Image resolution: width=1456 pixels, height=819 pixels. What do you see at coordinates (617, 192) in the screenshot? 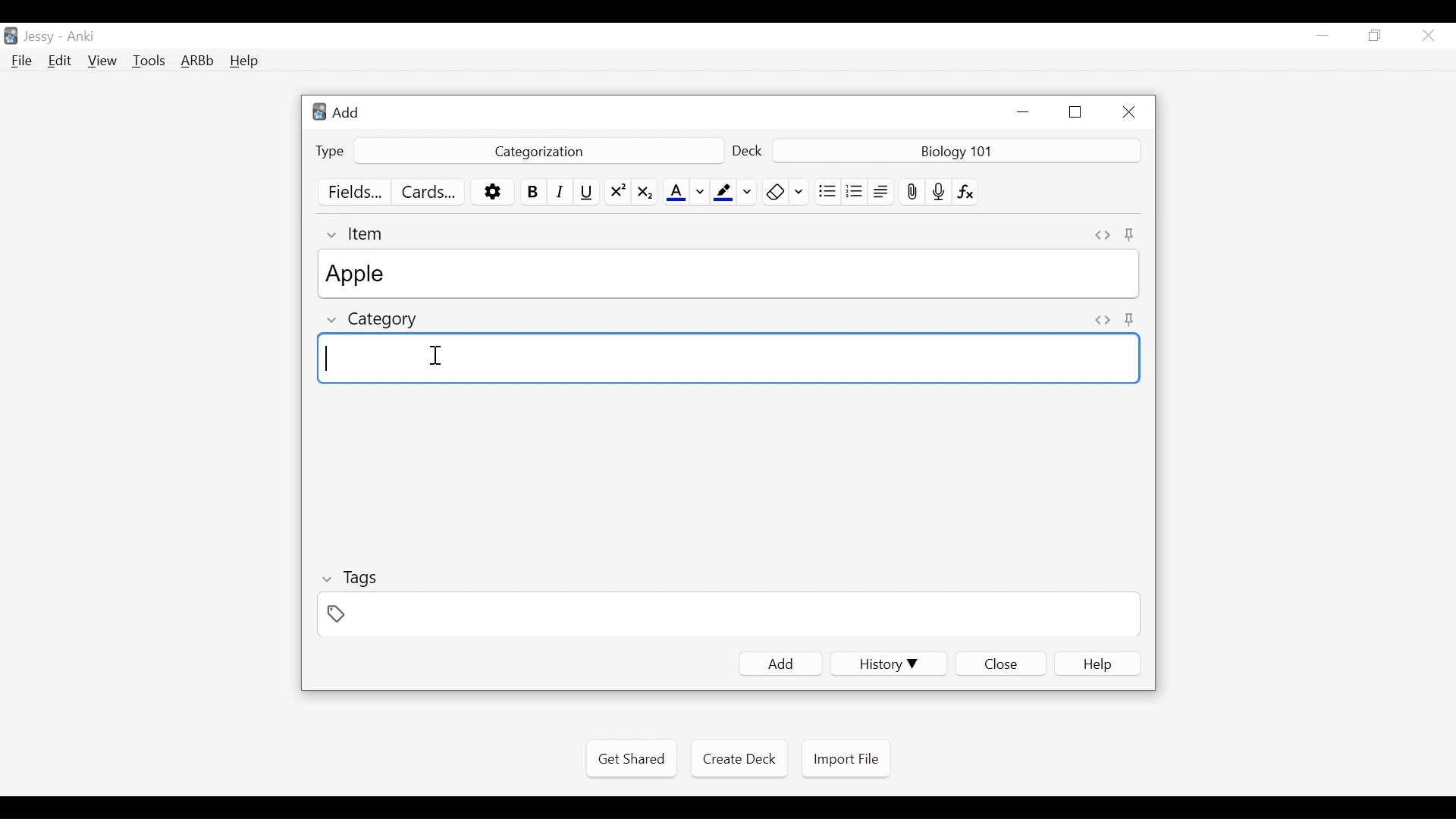
I see `Superscript` at bounding box center [617, 192].